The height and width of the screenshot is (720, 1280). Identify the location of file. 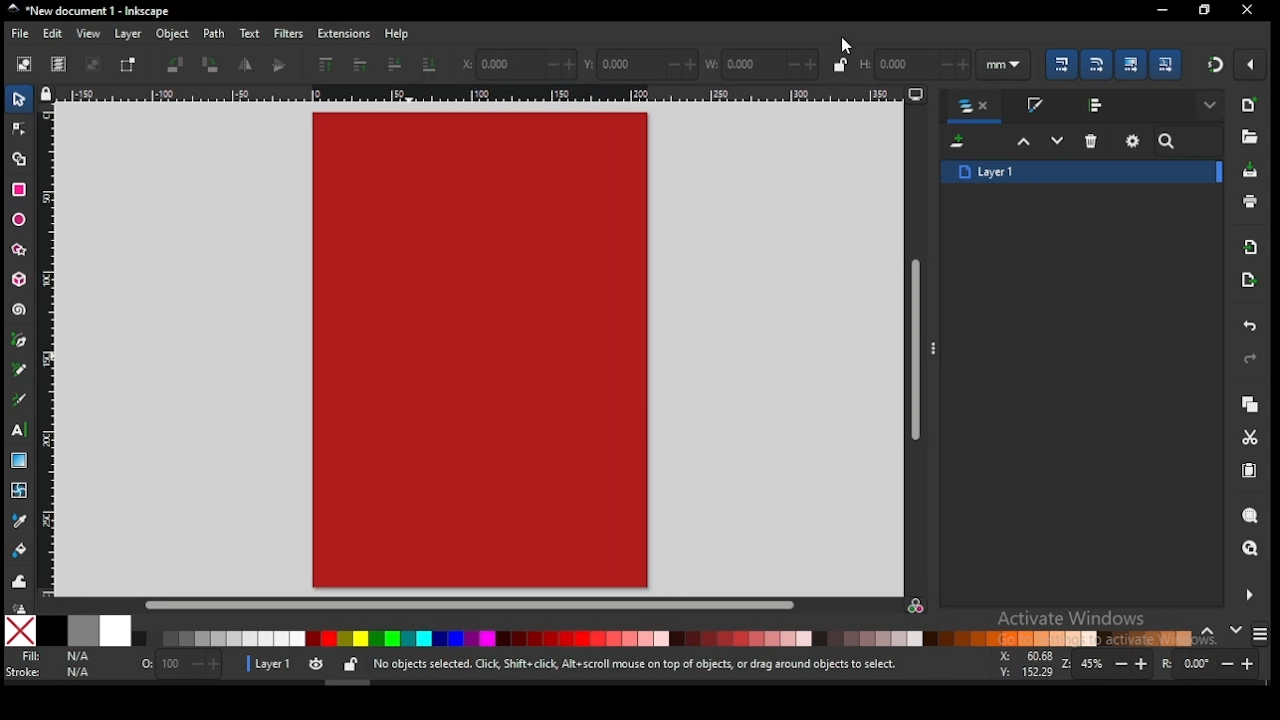
(20, 36).